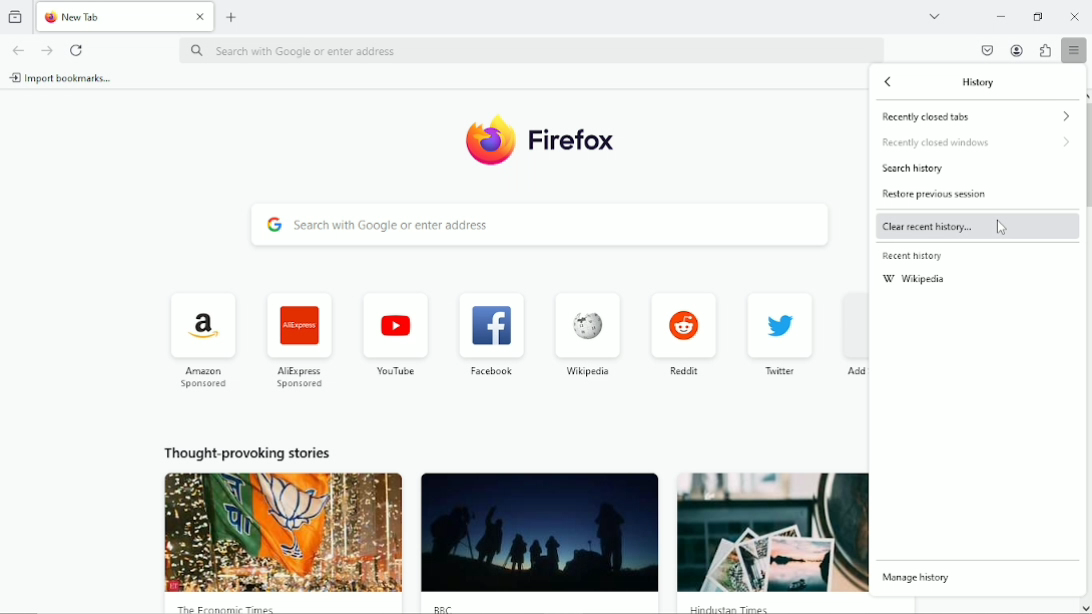 The height and width of the screenshot is (614, 1092). What do you see at coordinates (1001, 227) in the screenshot?
I see `cursor` at bounding box center [1001, 227].